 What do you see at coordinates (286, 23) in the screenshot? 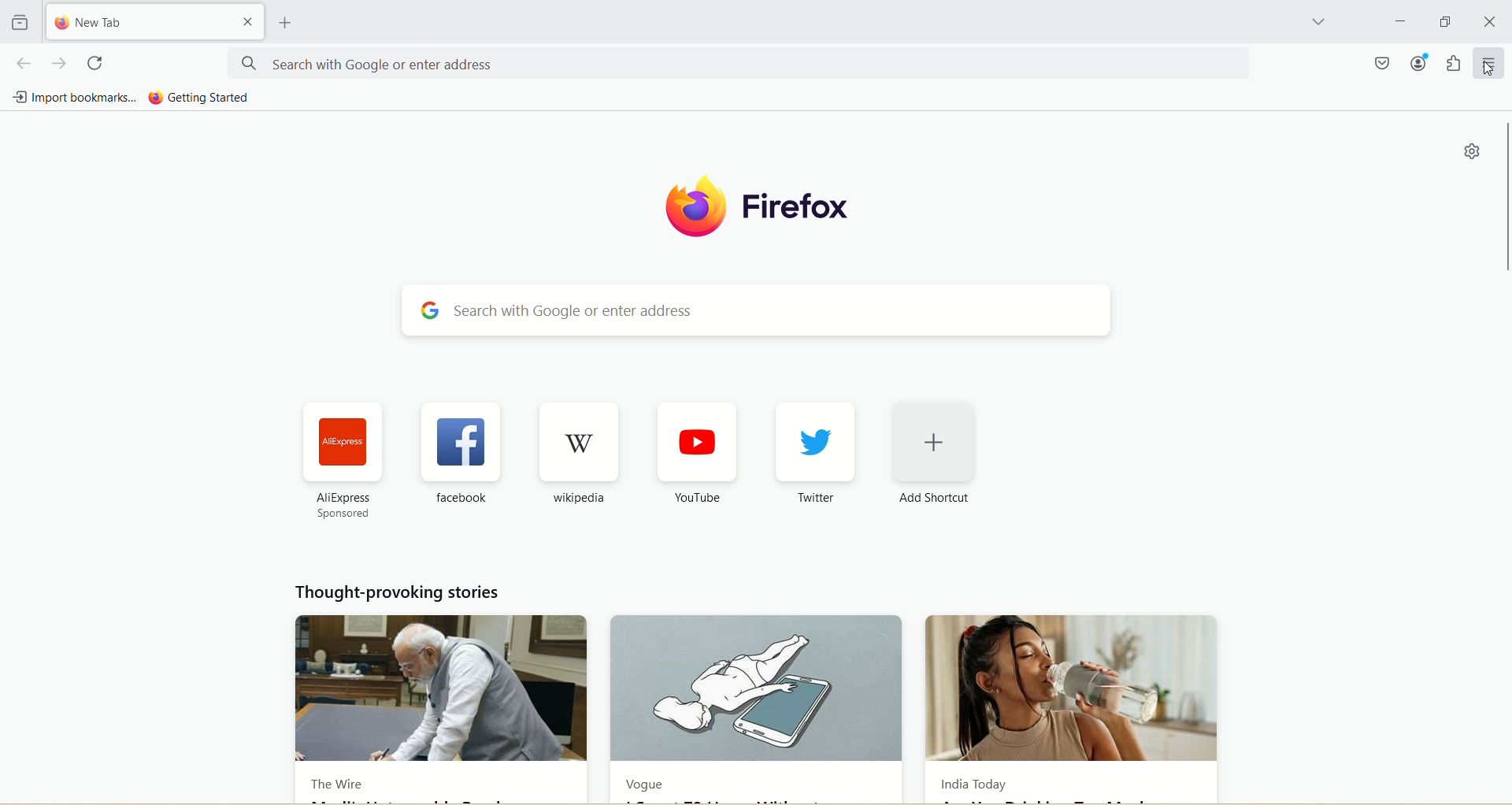
I see `open a new tab` at bounding box center [286, 23].